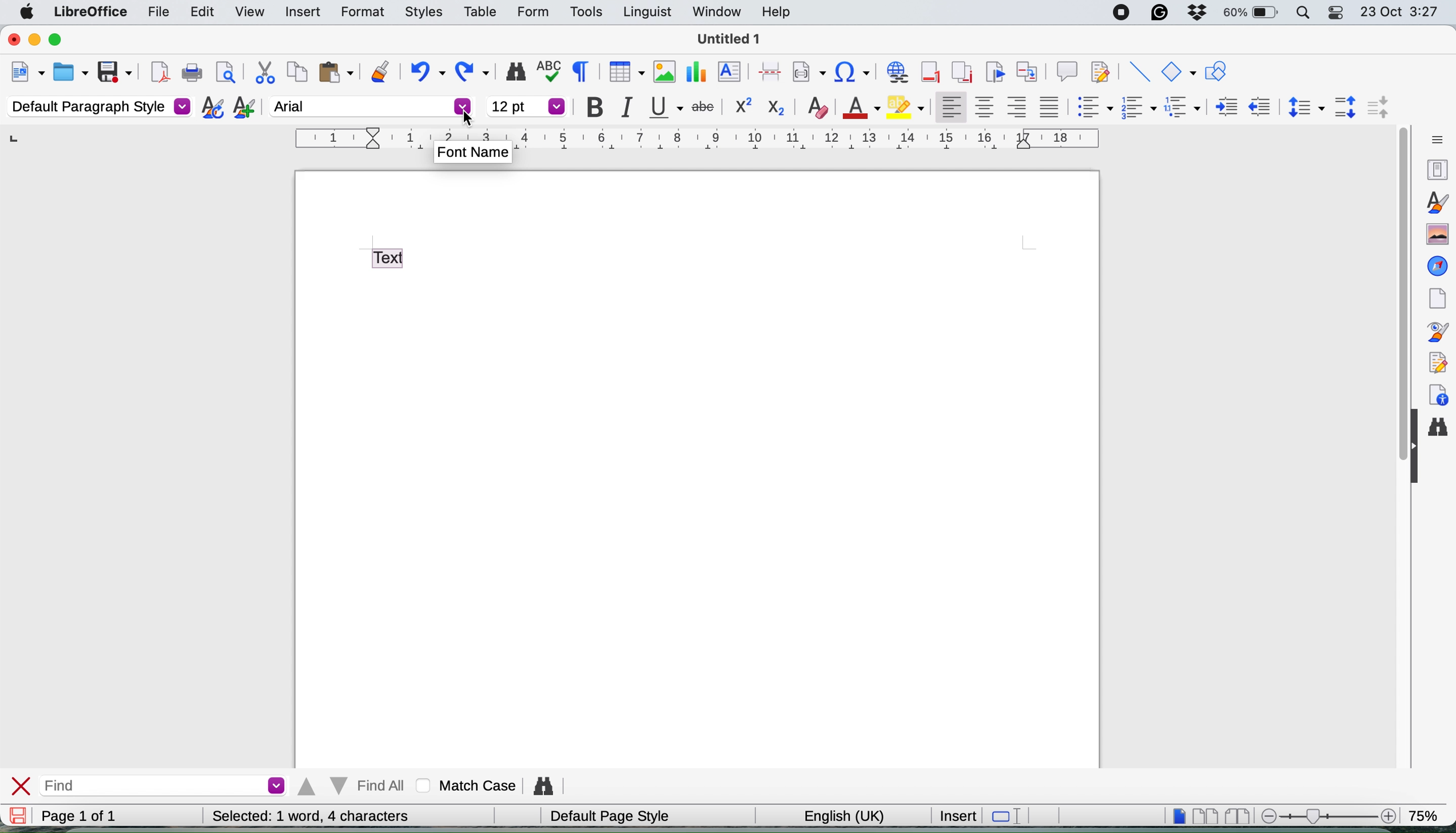 The image size is (1456, 833). Describe the element at coordinates (350, 786) in the screenshot. I see `find all` at that location.